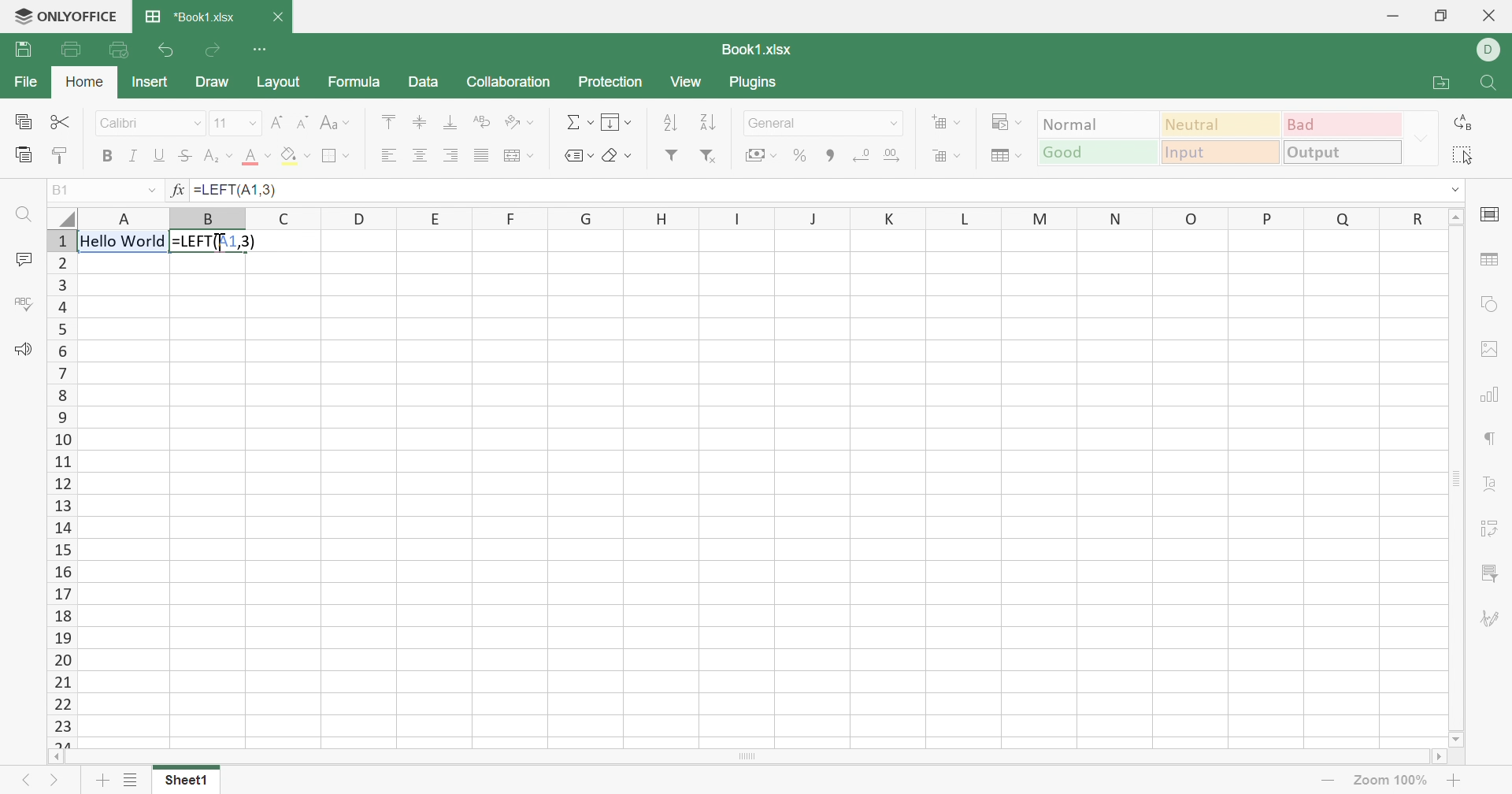 This screenshot has height=794, width=1512. What do you see at coordinates (1100, 124) in the screenshot?
I see `Normal` at bounding box center [1100, 124].